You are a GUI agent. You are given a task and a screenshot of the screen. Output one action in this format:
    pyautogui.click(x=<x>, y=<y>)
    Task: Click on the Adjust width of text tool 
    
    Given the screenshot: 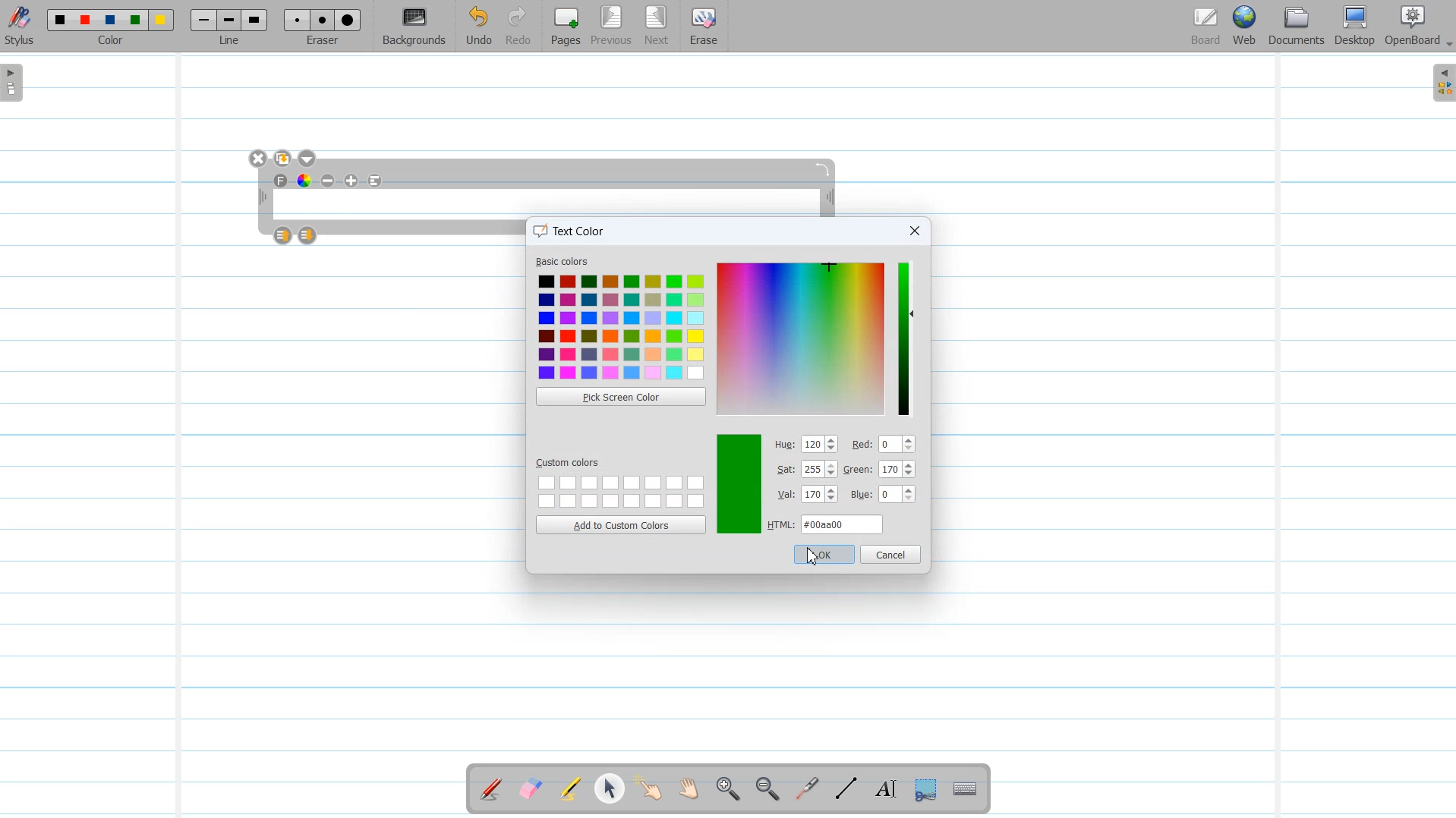 What is the action you would take?
    pyautogui.click(x=261, y=197)
    